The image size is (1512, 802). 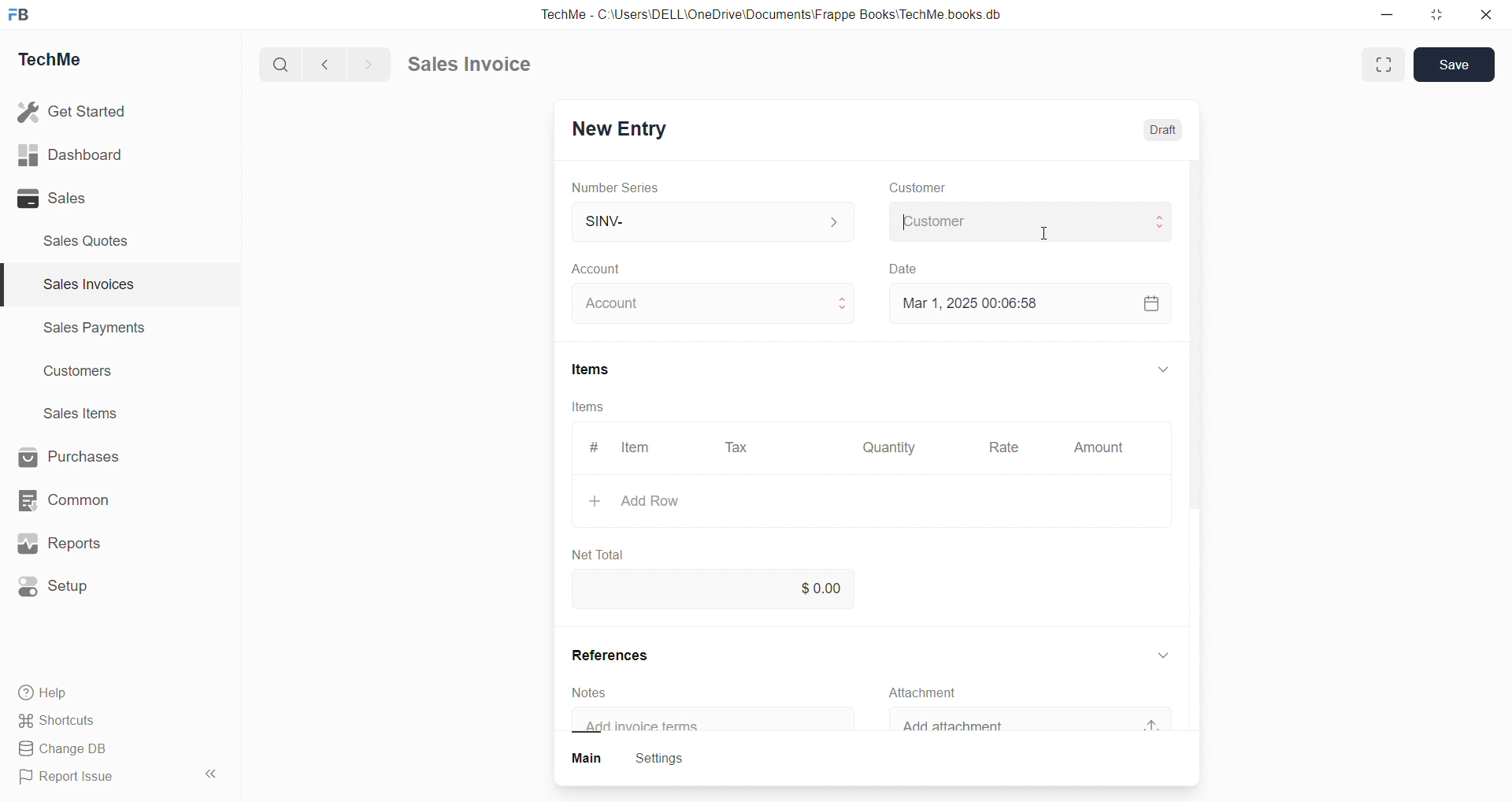 I want to click on __Add invoice terms, so click(x=650, y=726).